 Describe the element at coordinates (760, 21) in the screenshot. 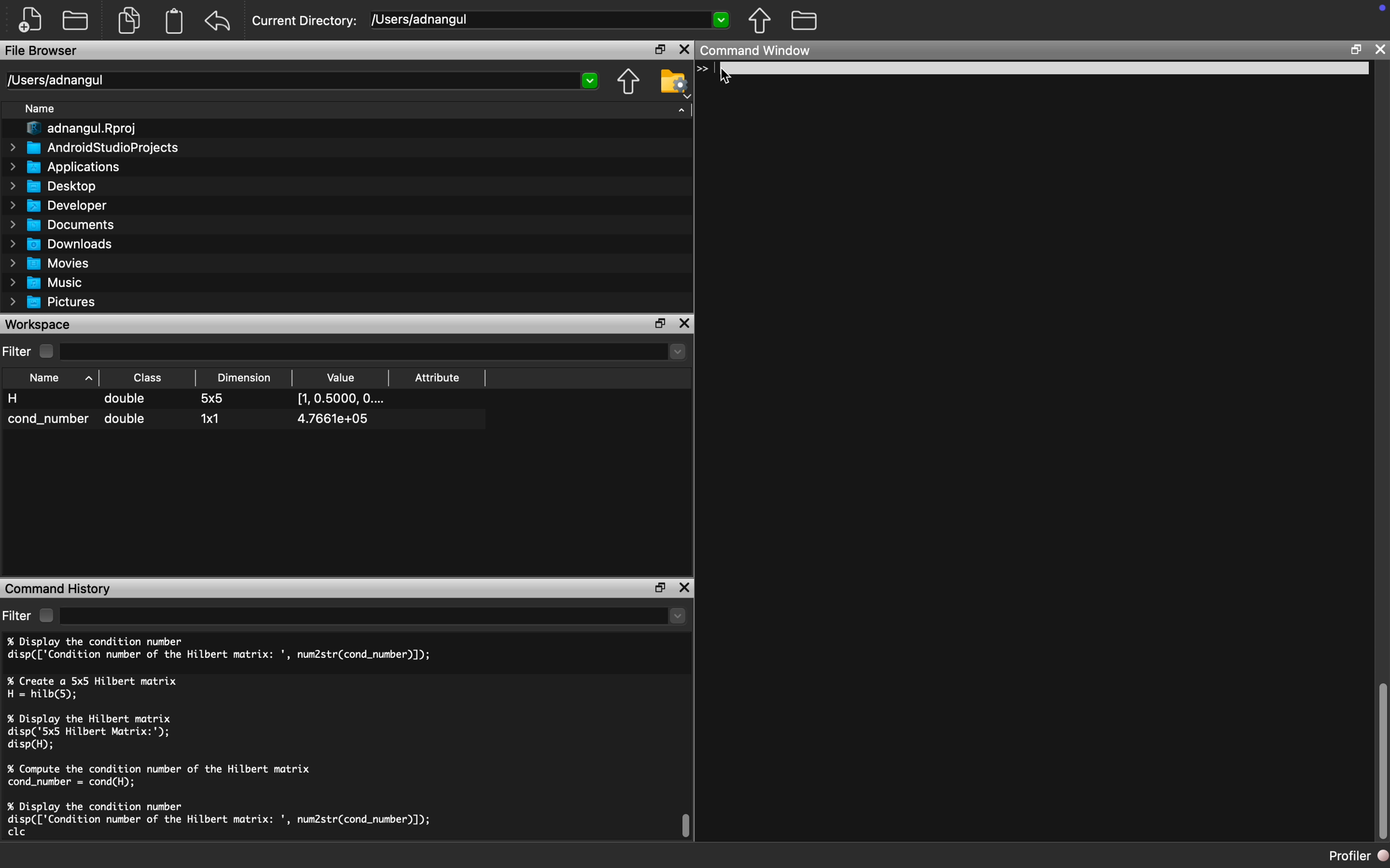

I see `Parent Directory` at that location.